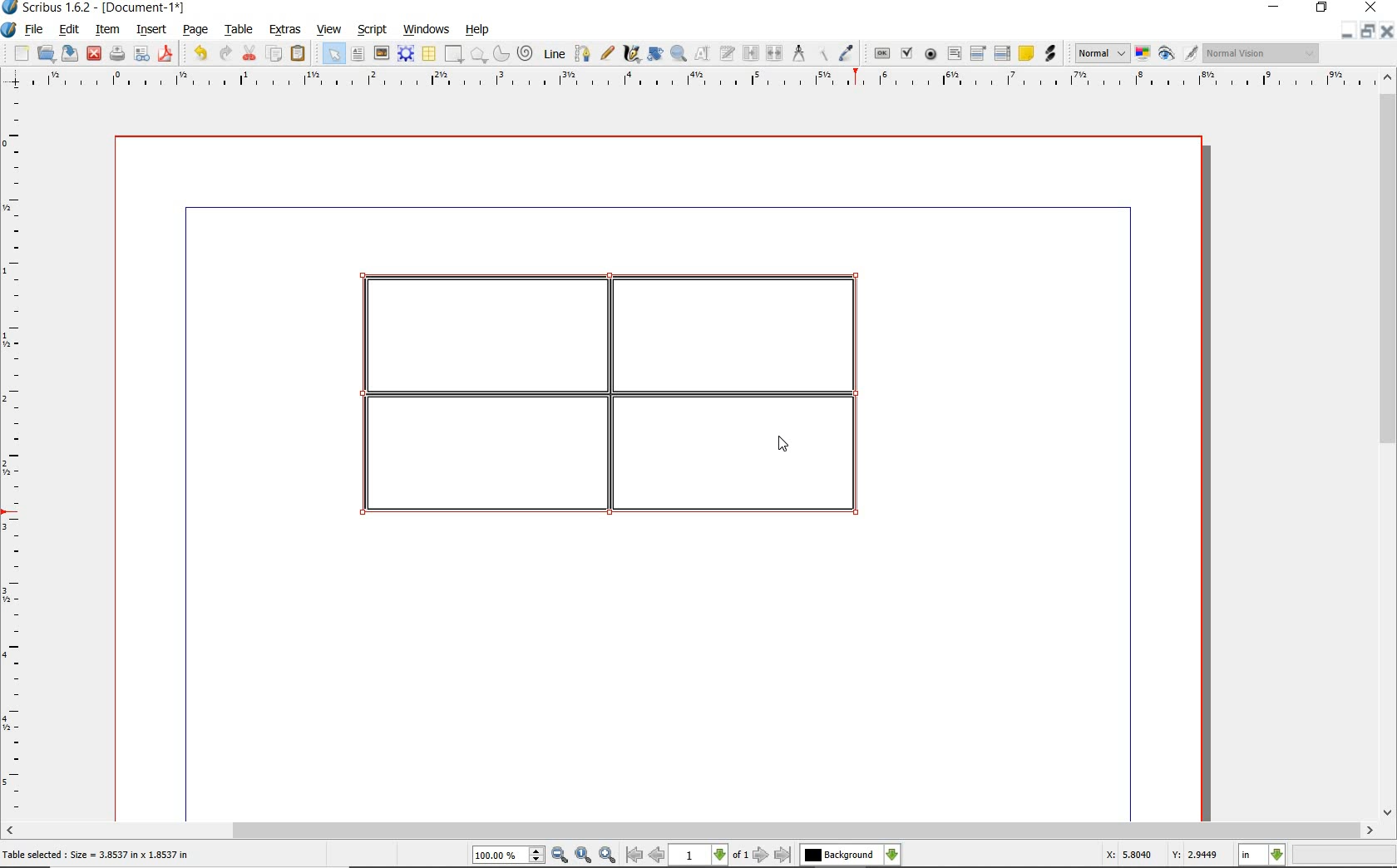  What do you see at coordinates (106, 30) in the screenshot?
I see `item` at bounding box center [106, 30].